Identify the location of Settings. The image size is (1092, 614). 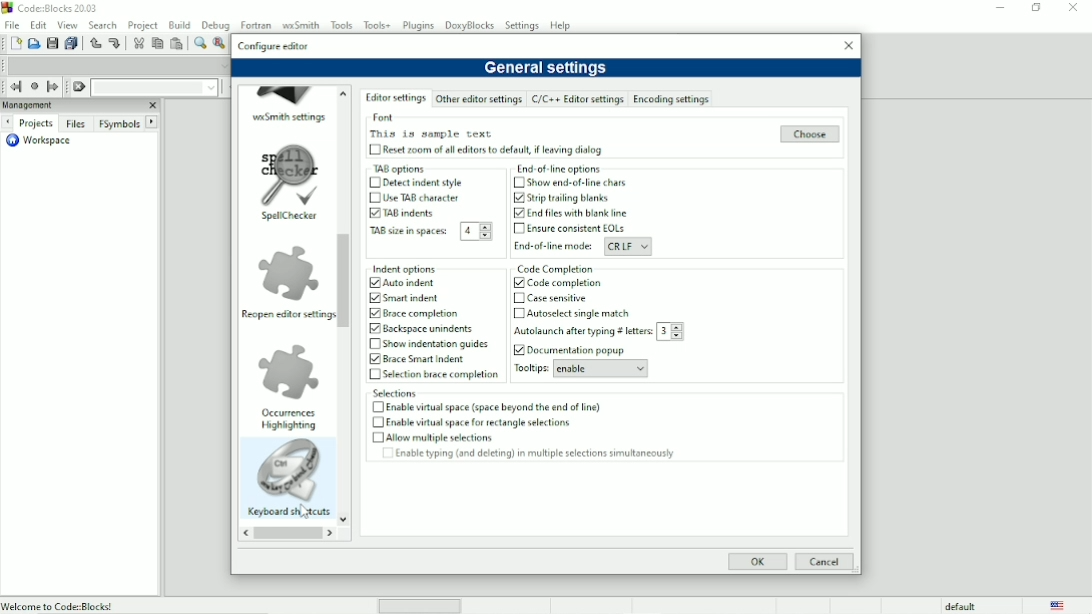
(523, 25).